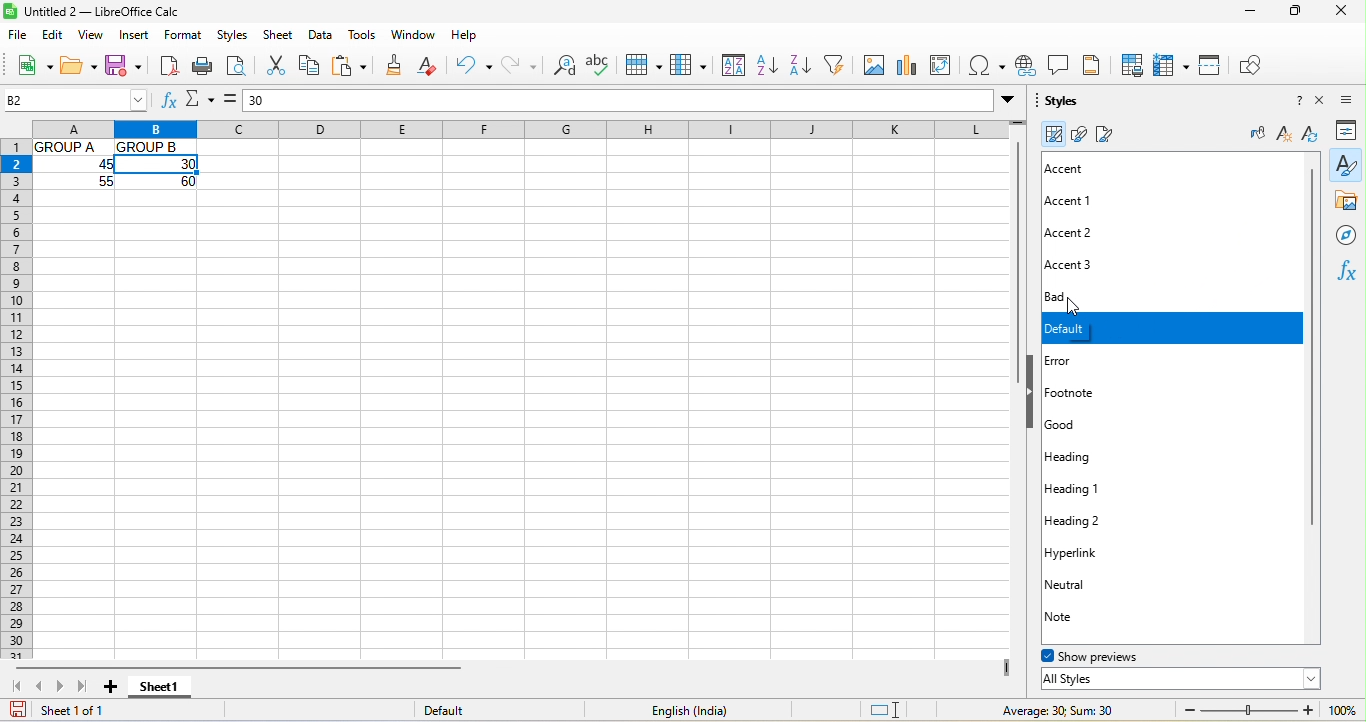  I want to click on row, so click(645, 64).